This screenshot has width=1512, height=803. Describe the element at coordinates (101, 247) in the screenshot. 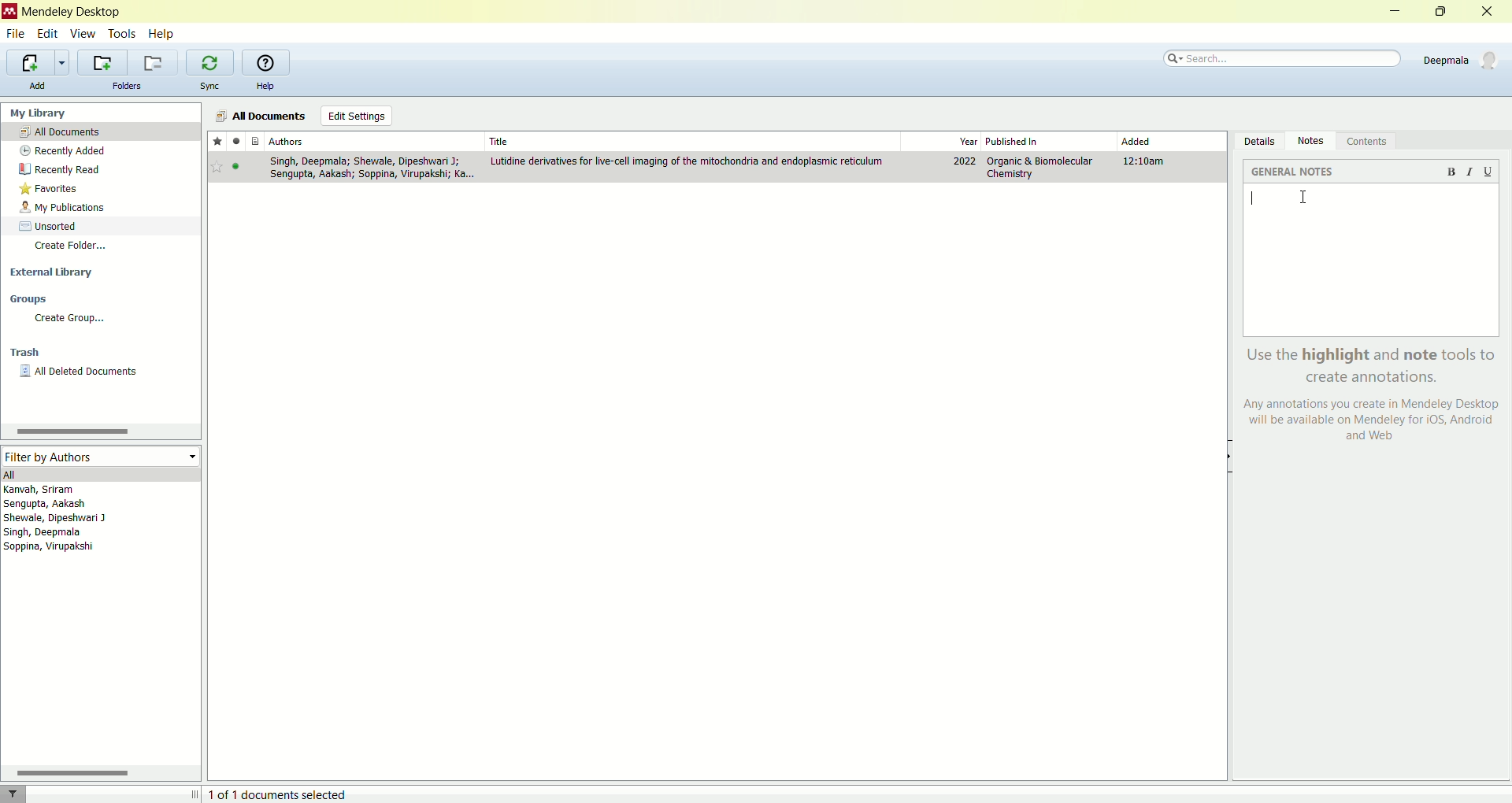

I see `create folder` at that location.